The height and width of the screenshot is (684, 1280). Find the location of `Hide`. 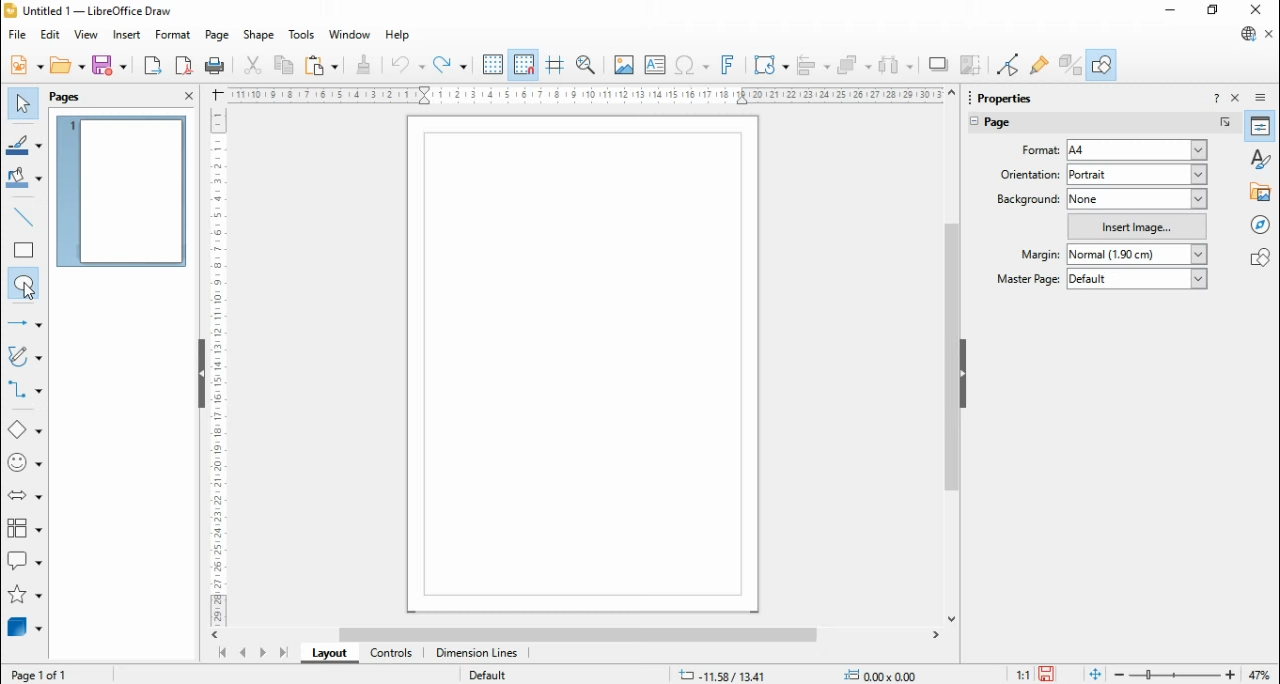

Hide is located at coordinates (201, 375).